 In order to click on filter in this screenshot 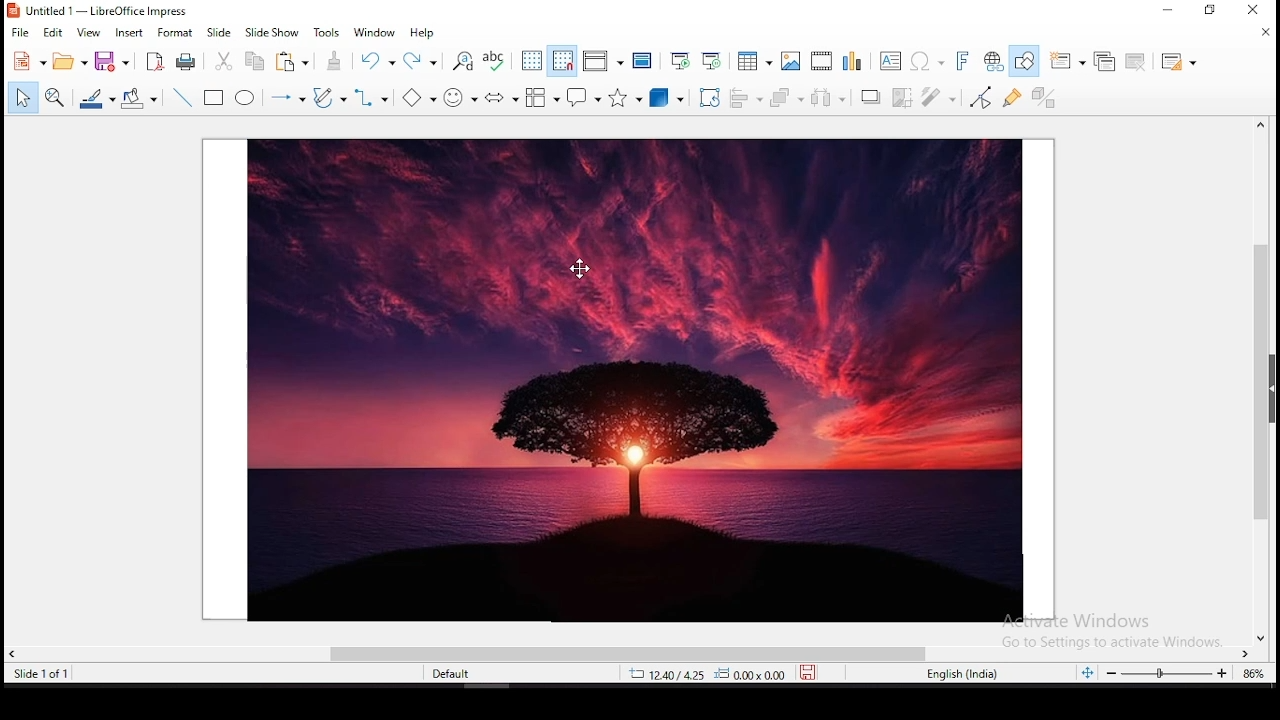, I will do `click(937, 97)`.